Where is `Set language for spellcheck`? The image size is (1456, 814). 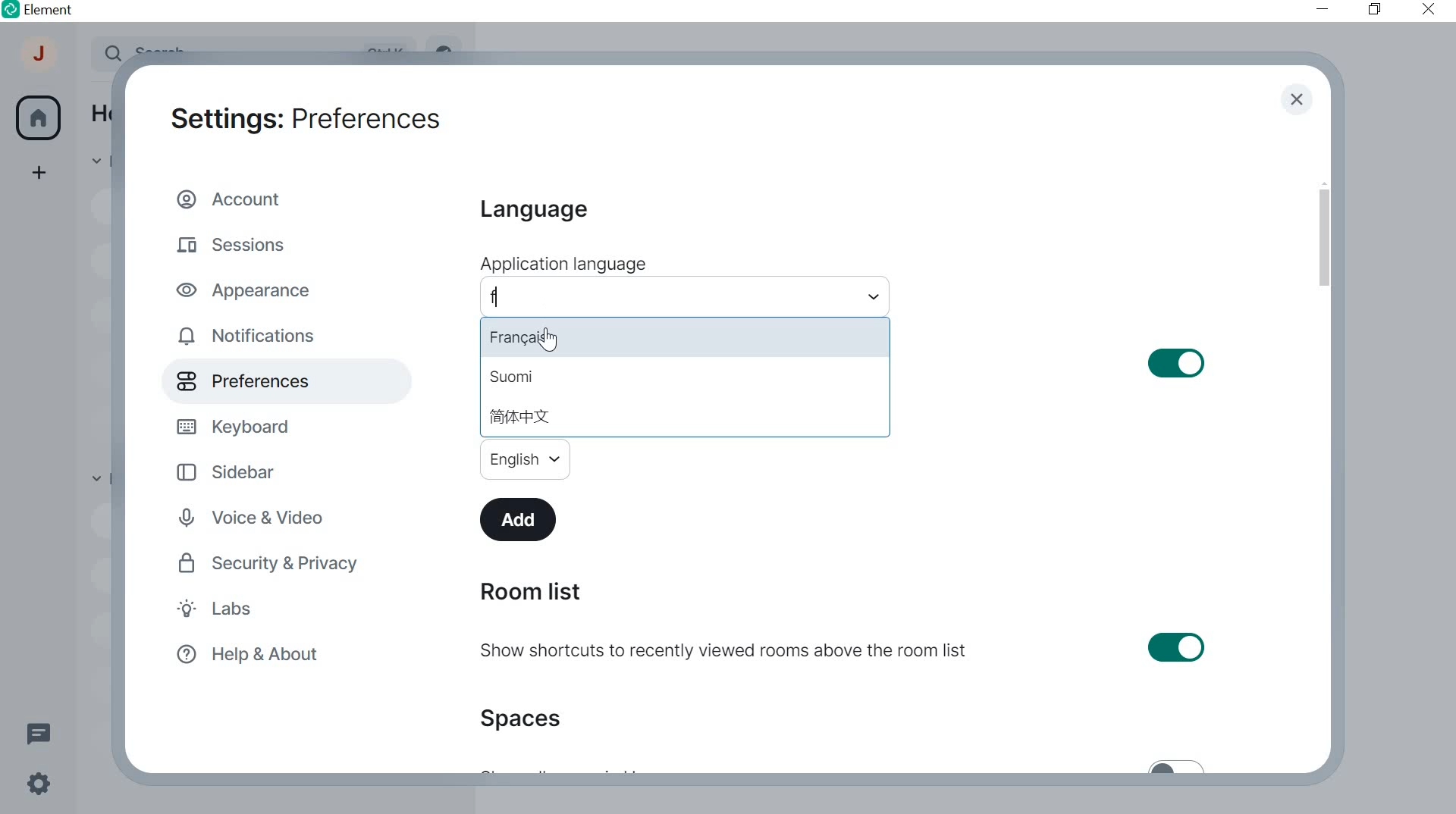 Set language for spellcheck is located at coordinates (525, 459).